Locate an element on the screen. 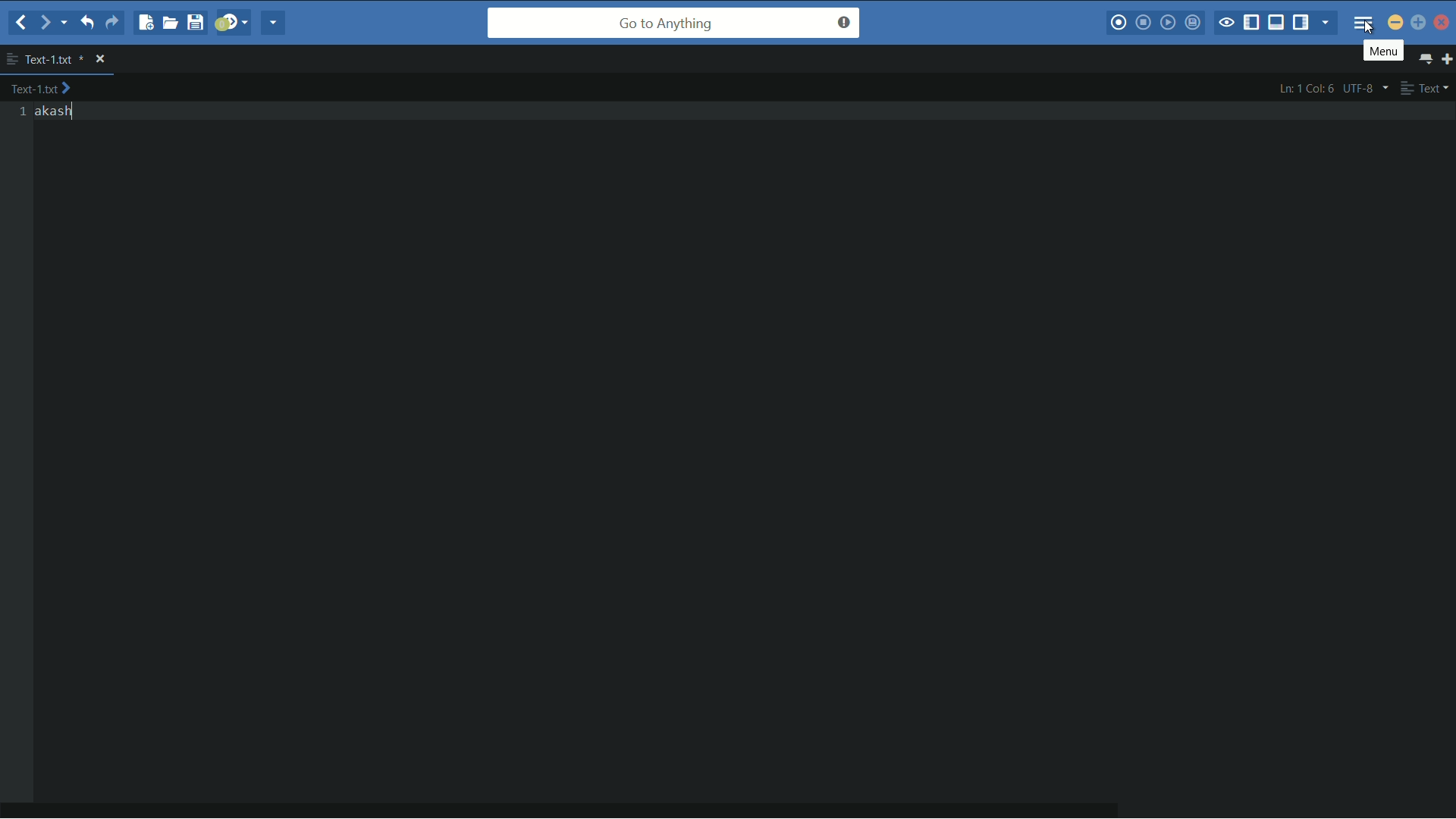 Image resolution: width=1456 pixels, height=819 pixels. new tab is located at coordinates (1447, 60).